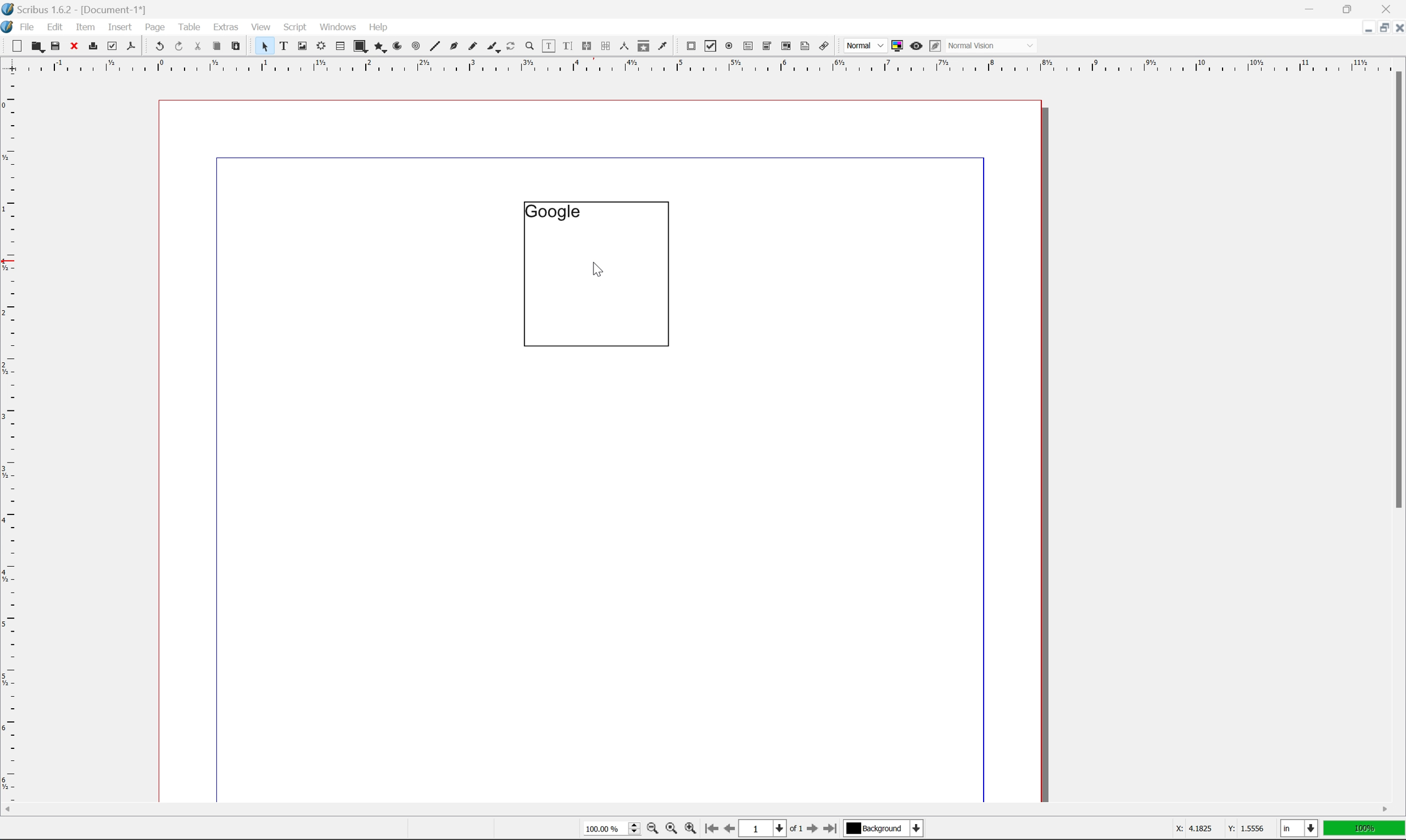  What do you see at coordinates (228, 27) in the screenshot?
I see `extras` at bounding box center [228, 27].